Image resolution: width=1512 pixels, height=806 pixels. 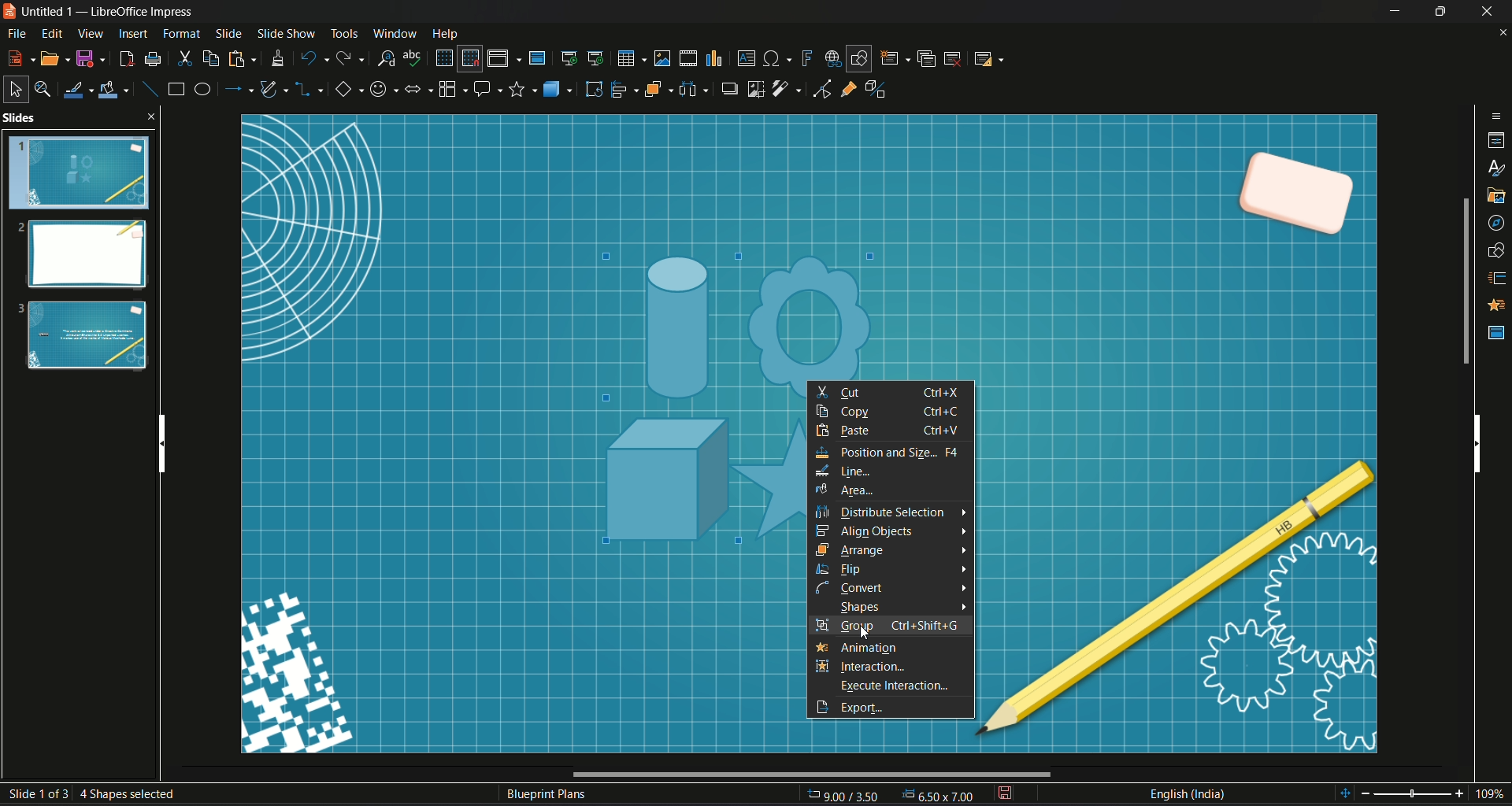 What do you see at coordinates (1425, 794) in the screenshot?
I see `Zoom` at bounding box center [1425, 794].